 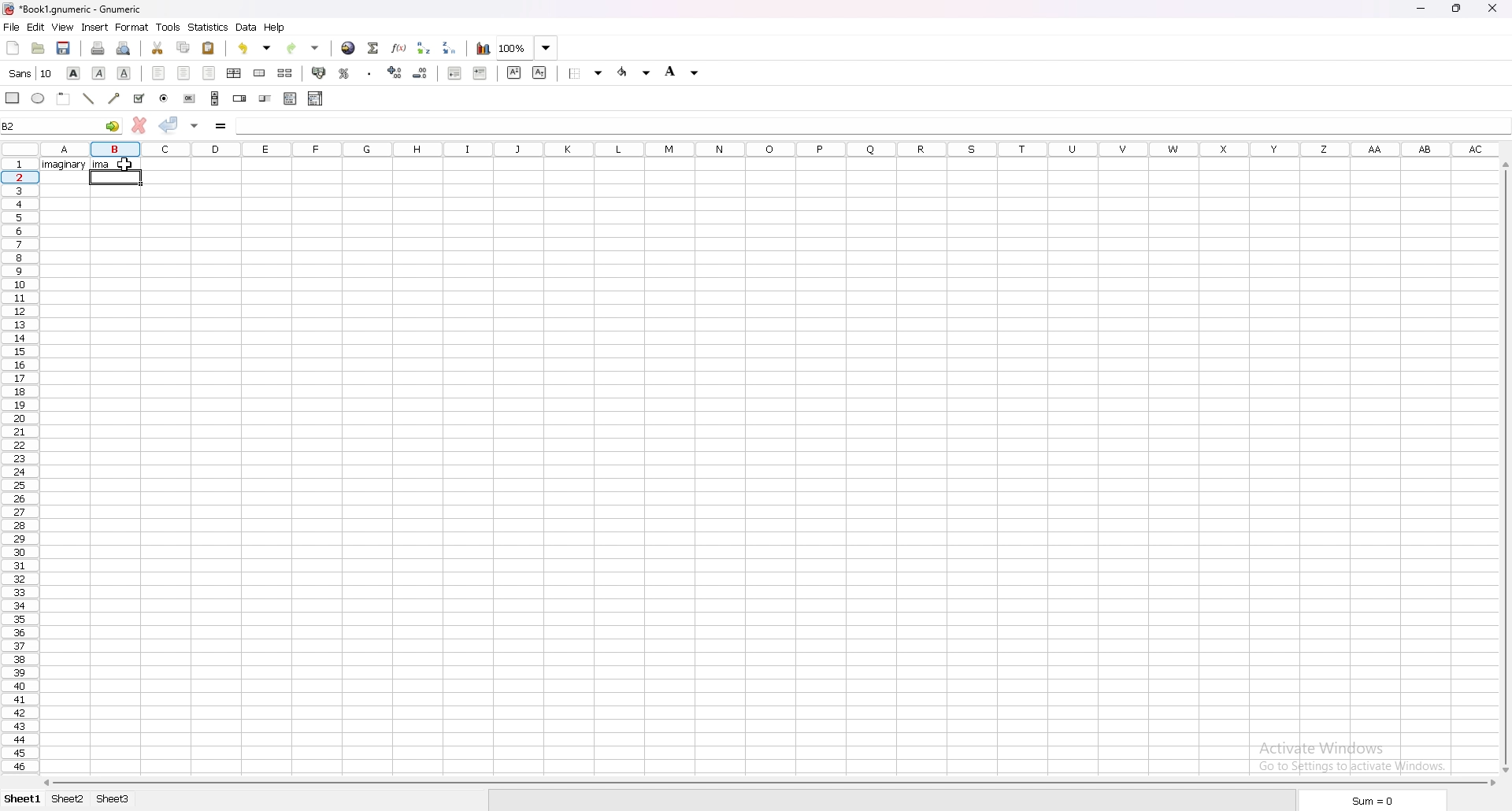 I want to click on chart, so click(x=483, y=49).